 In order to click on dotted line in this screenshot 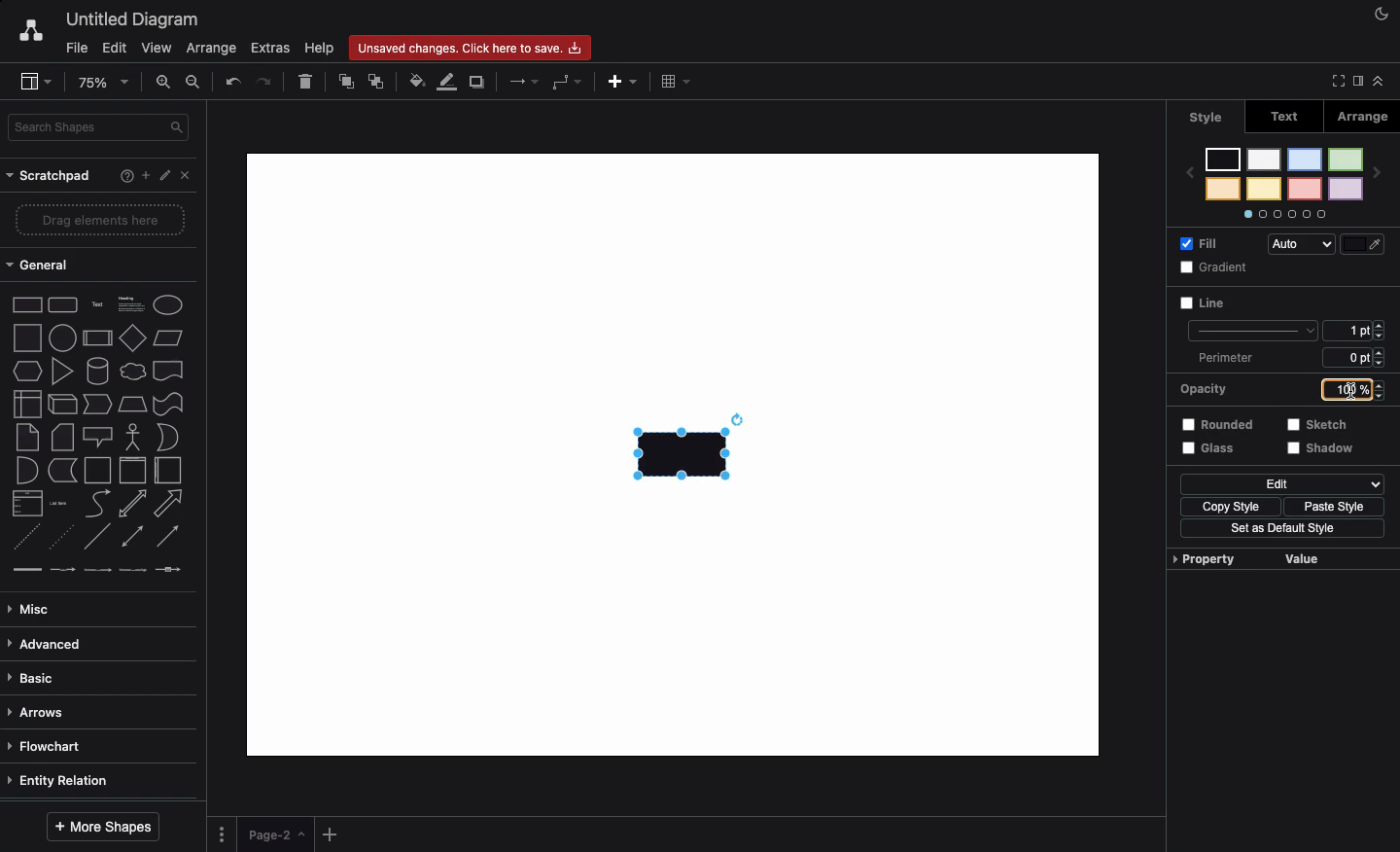, I will do `click(61, 538)`.